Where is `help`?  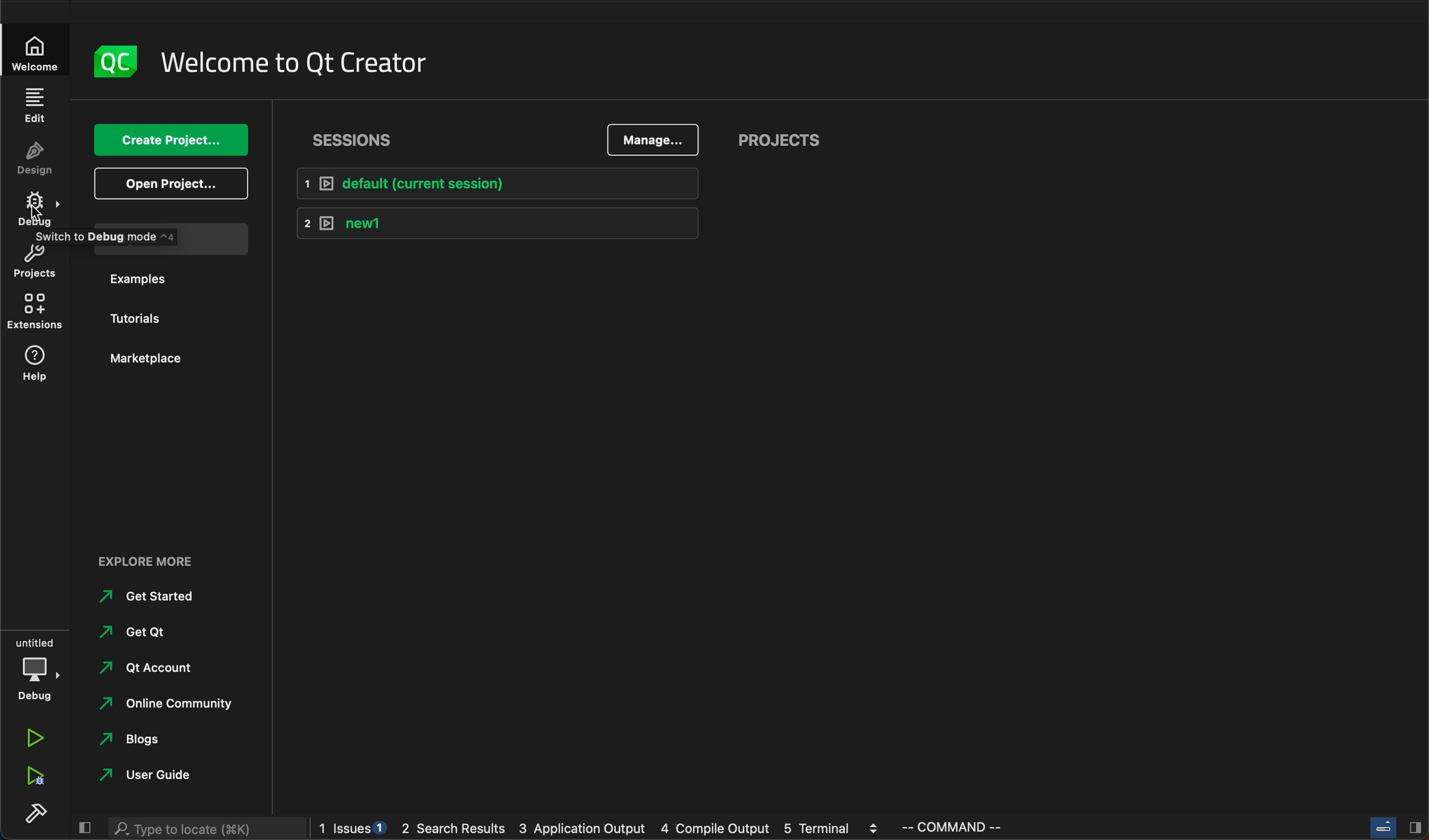
help is located at coordinates (38, 363).